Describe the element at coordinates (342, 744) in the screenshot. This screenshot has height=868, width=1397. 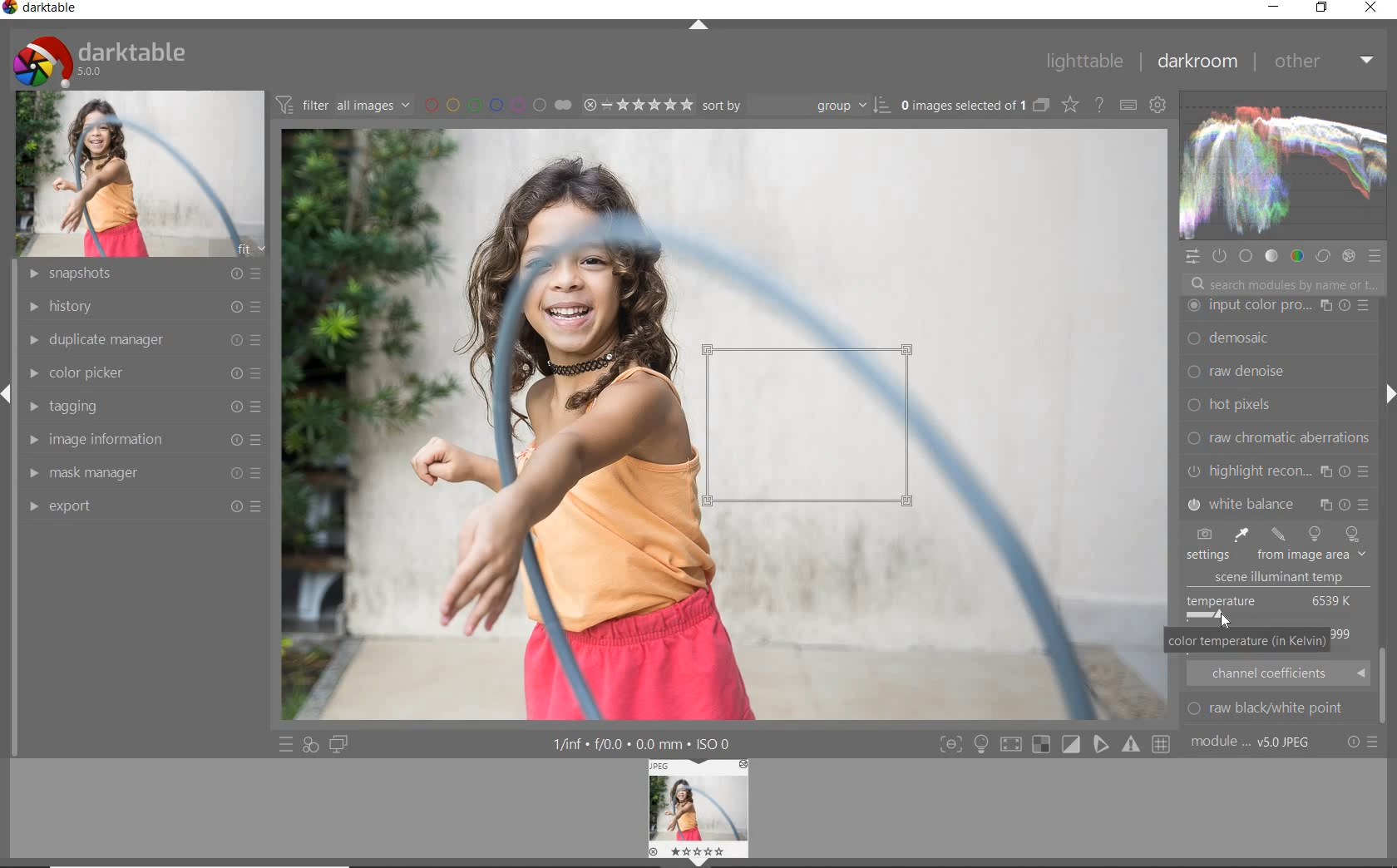
I see `display a second darkroom image window` at that location.